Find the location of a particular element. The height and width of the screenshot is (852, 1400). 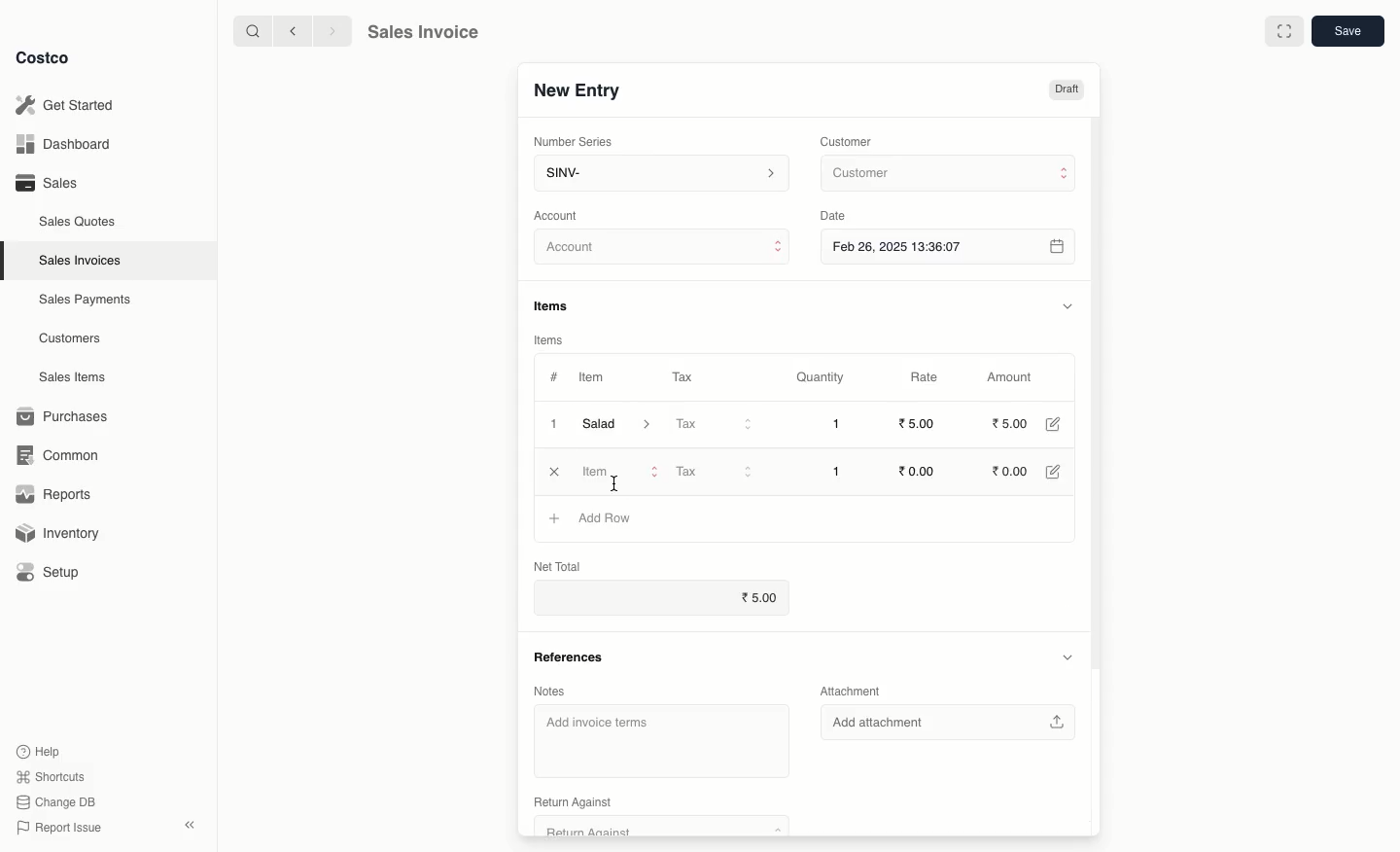

Items is located at coordinates (558, 305).